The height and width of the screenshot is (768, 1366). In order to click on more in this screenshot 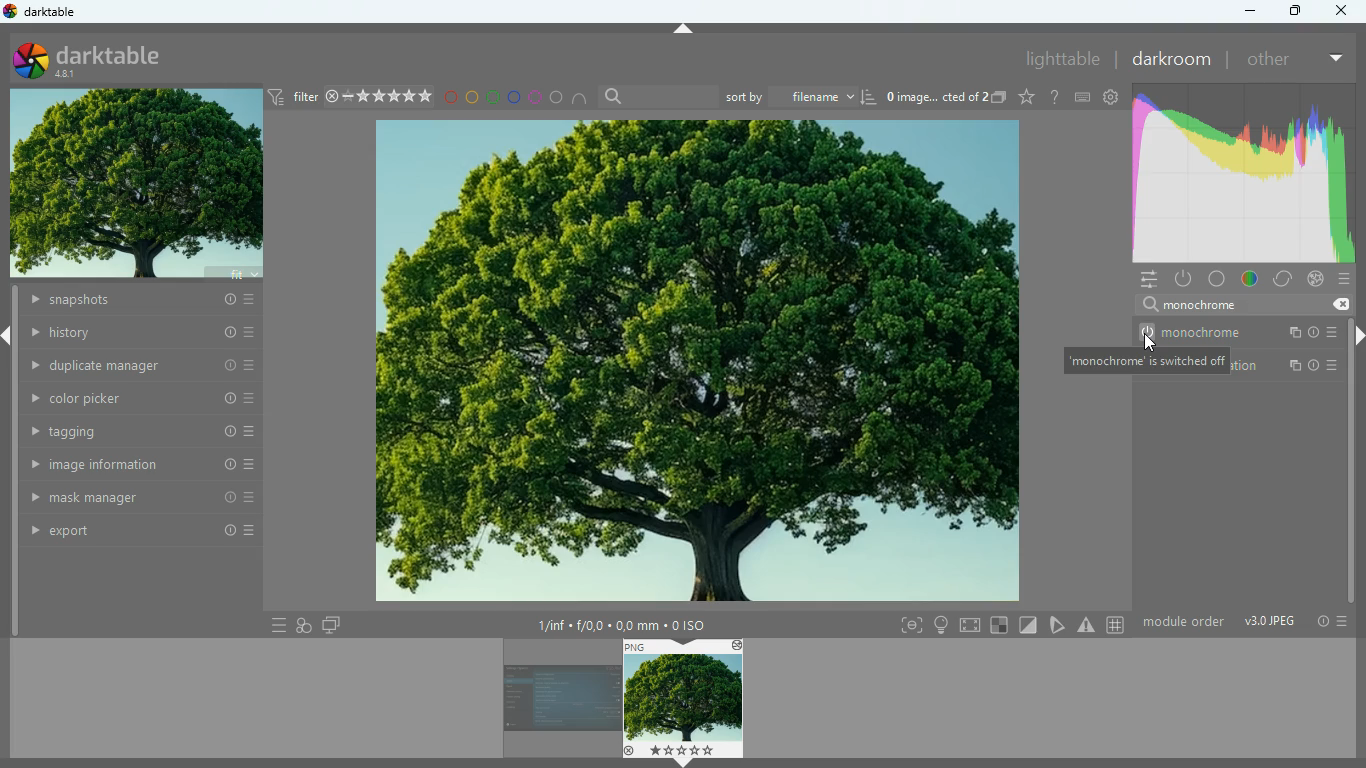, I will do `click(1337, 59)`.